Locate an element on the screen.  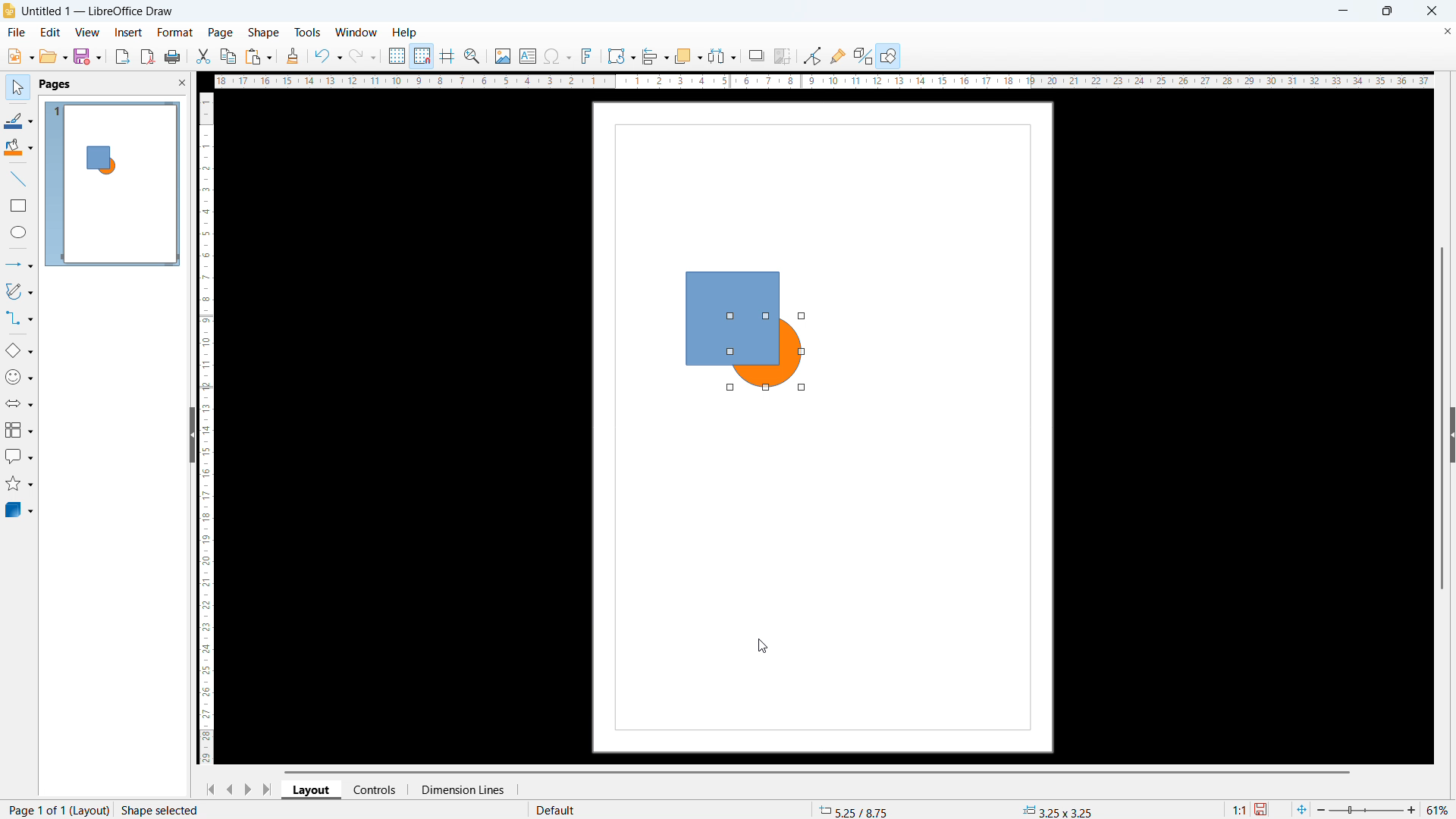
Layout  is located at coordinates (311, 791).